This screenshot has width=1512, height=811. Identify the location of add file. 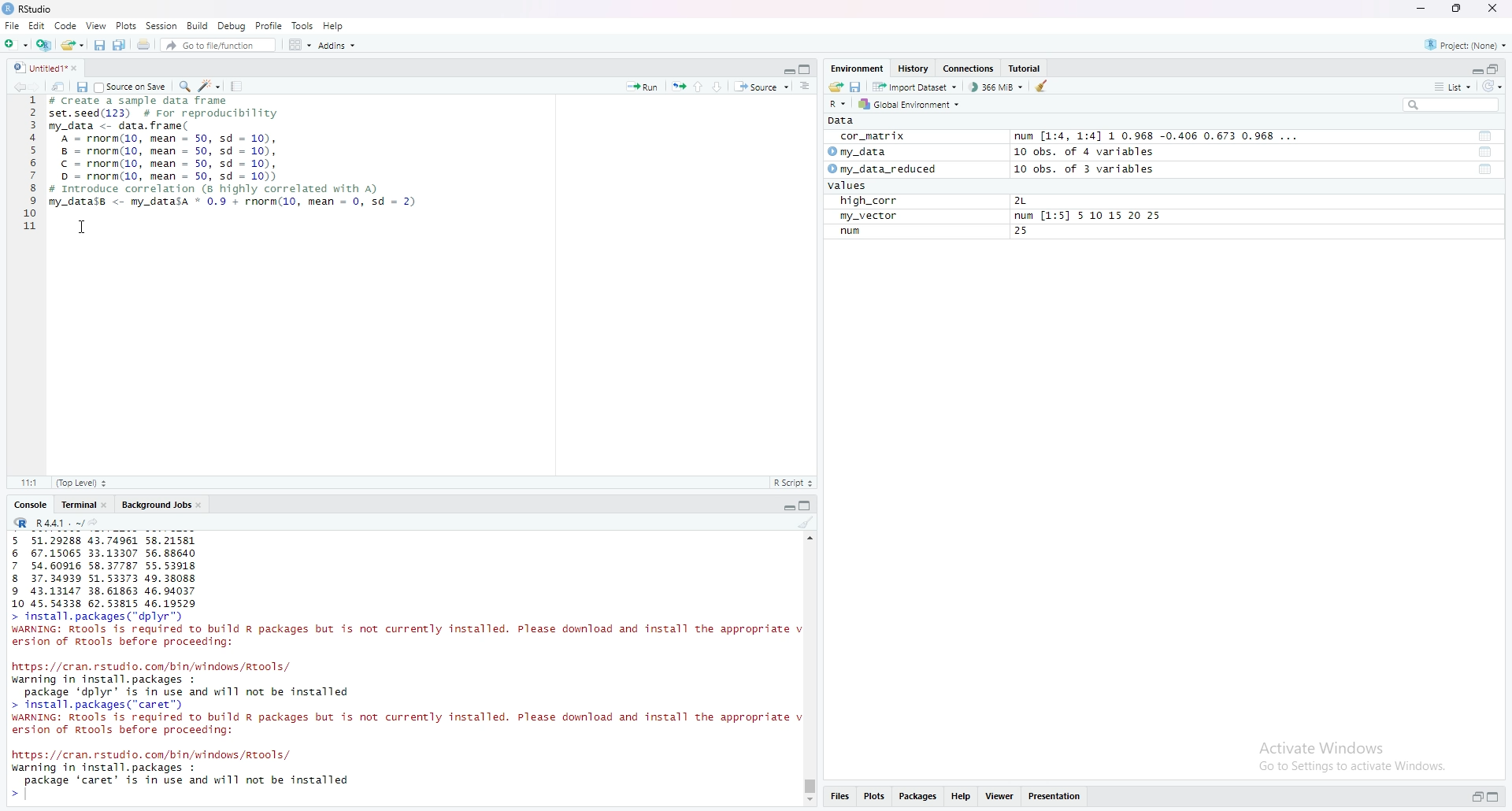
(46, 45).